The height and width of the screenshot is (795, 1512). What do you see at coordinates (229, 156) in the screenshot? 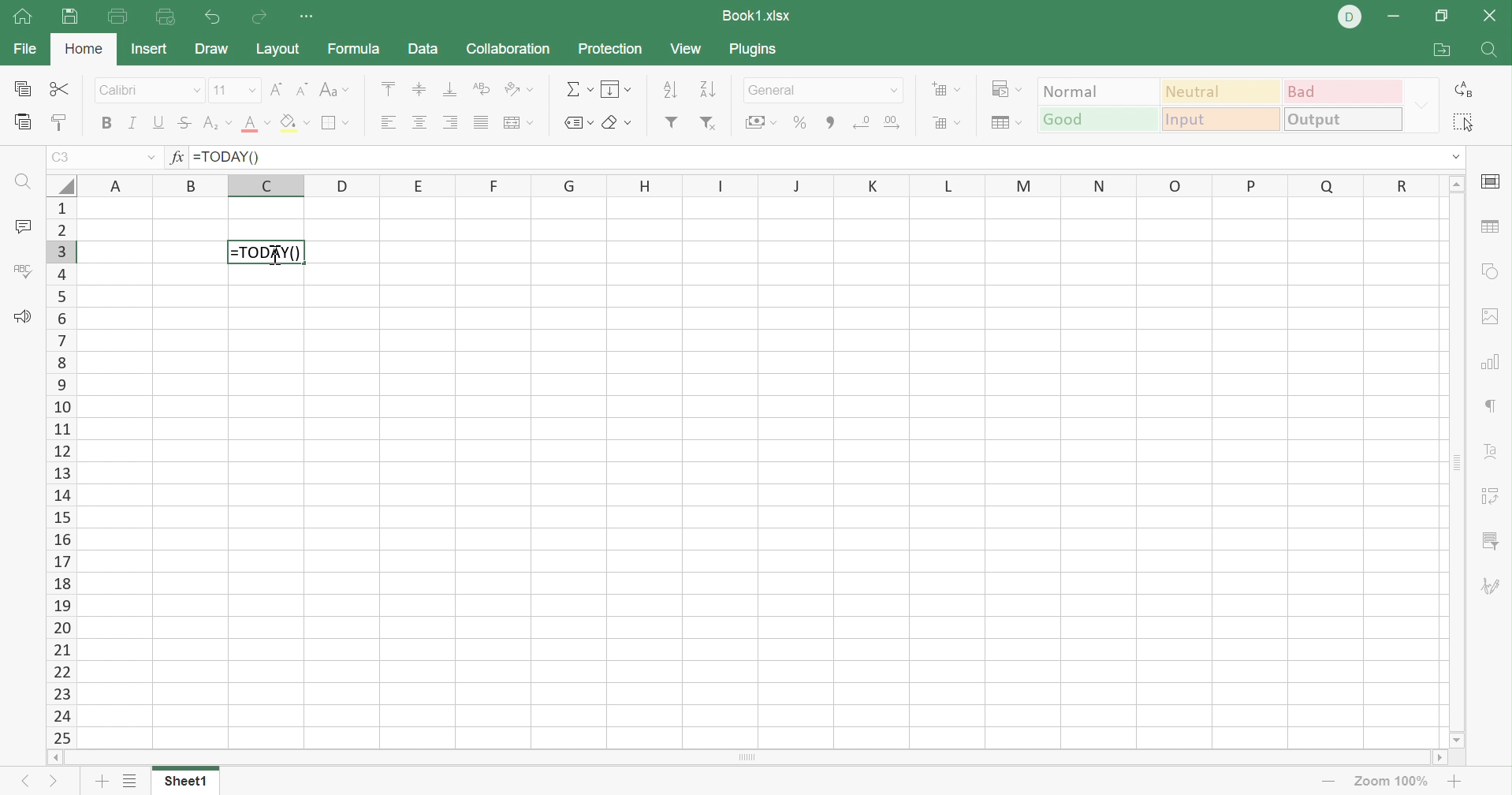
I see `=TODAY()` at bounding box center [229, 156].